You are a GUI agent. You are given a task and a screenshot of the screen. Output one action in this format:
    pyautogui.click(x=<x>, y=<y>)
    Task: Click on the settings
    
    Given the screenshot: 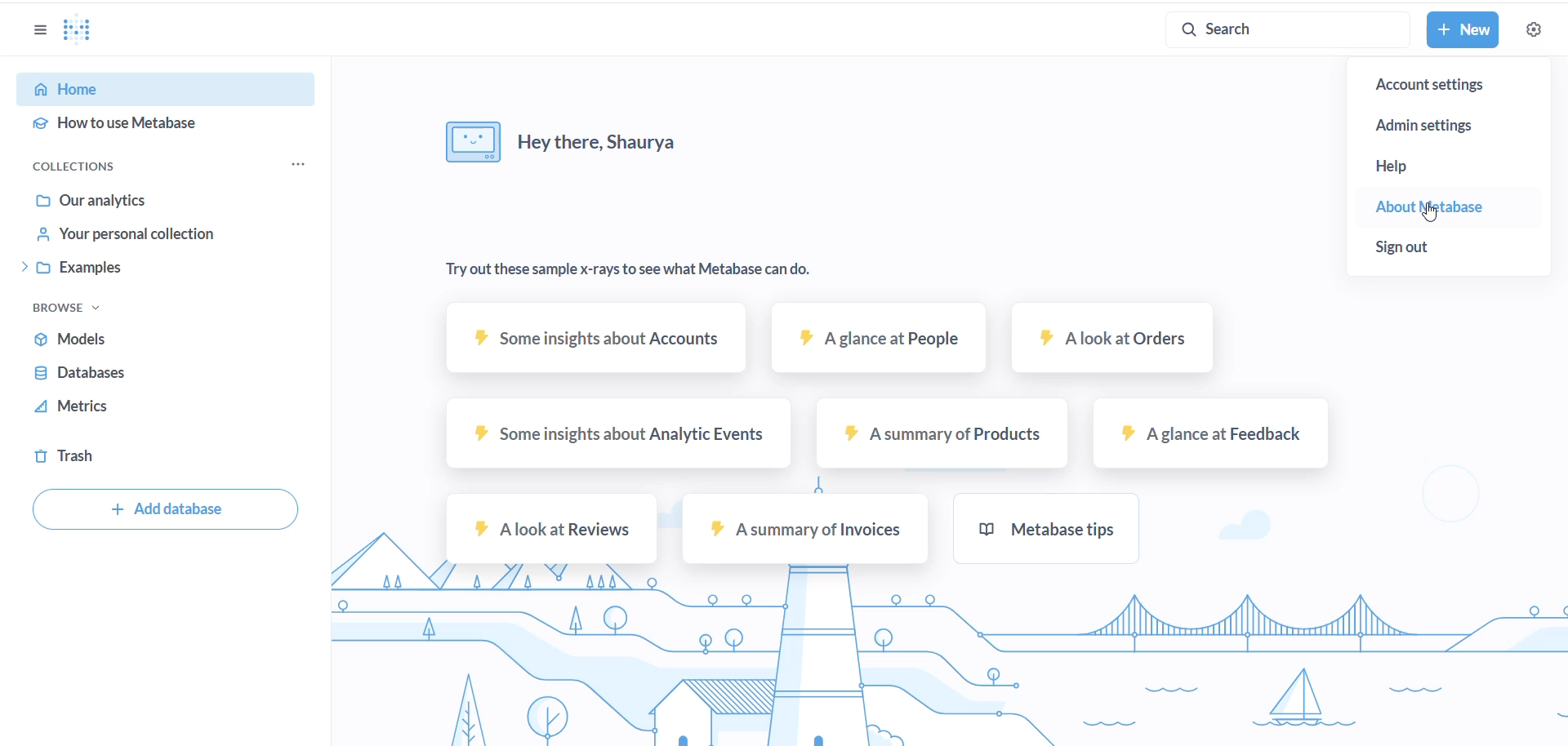 What is the action you would take?
    pyautogui.click(x=1536, y=28)
    